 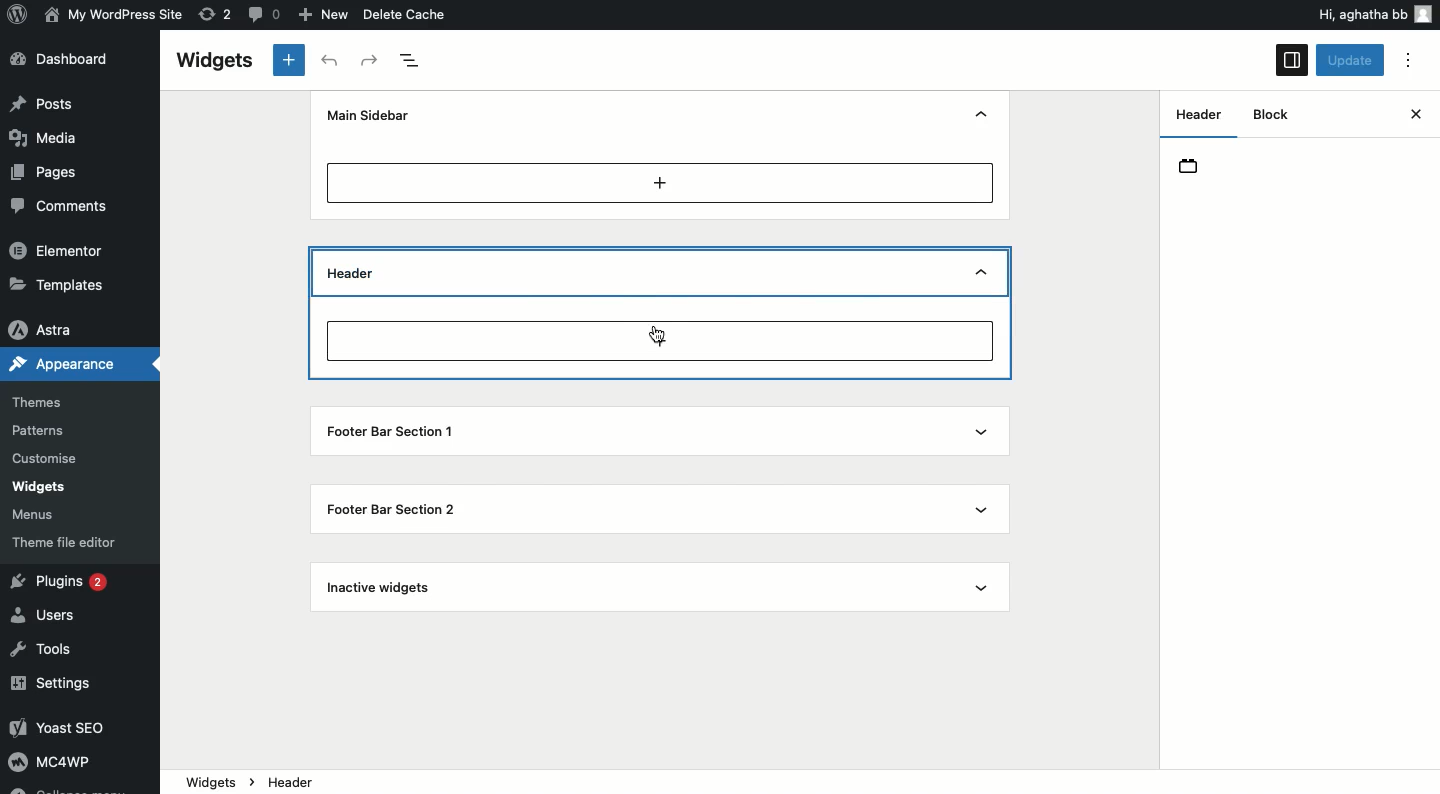 I want to click on New, so click(x=326, y=15).